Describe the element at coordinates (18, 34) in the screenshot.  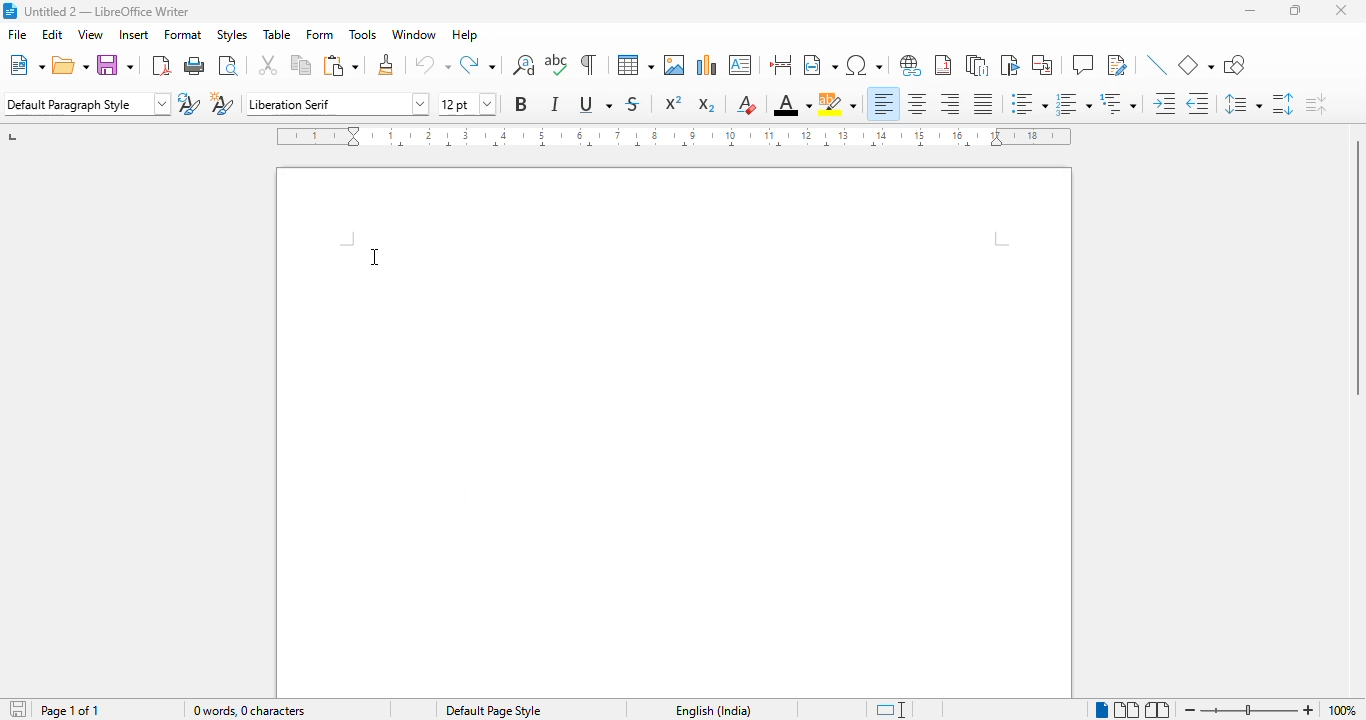
I see `file` at that location.